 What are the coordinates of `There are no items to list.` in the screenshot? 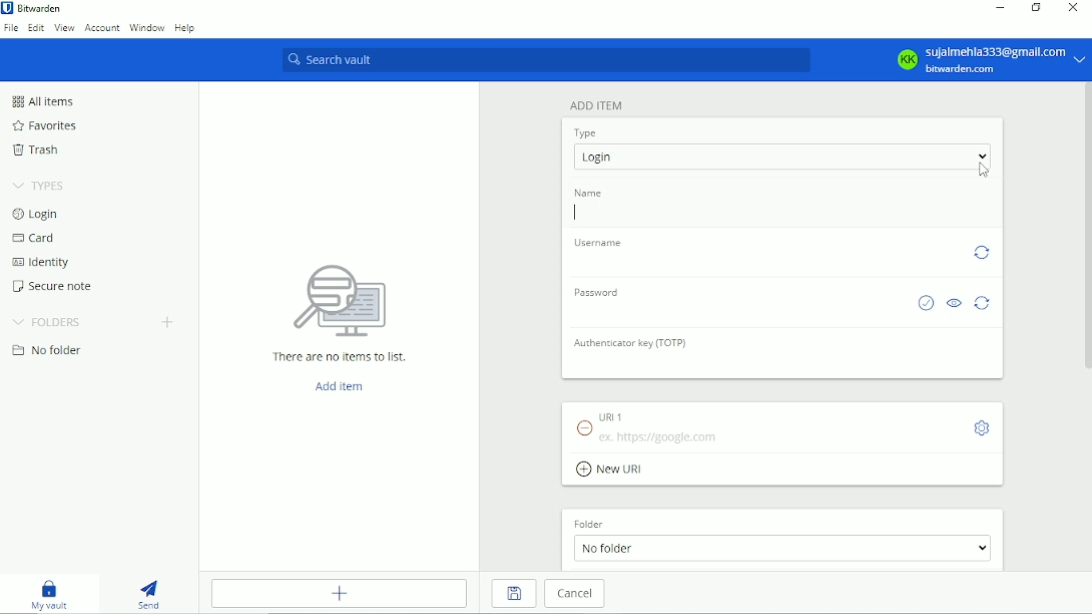 It's located at (341, 310).